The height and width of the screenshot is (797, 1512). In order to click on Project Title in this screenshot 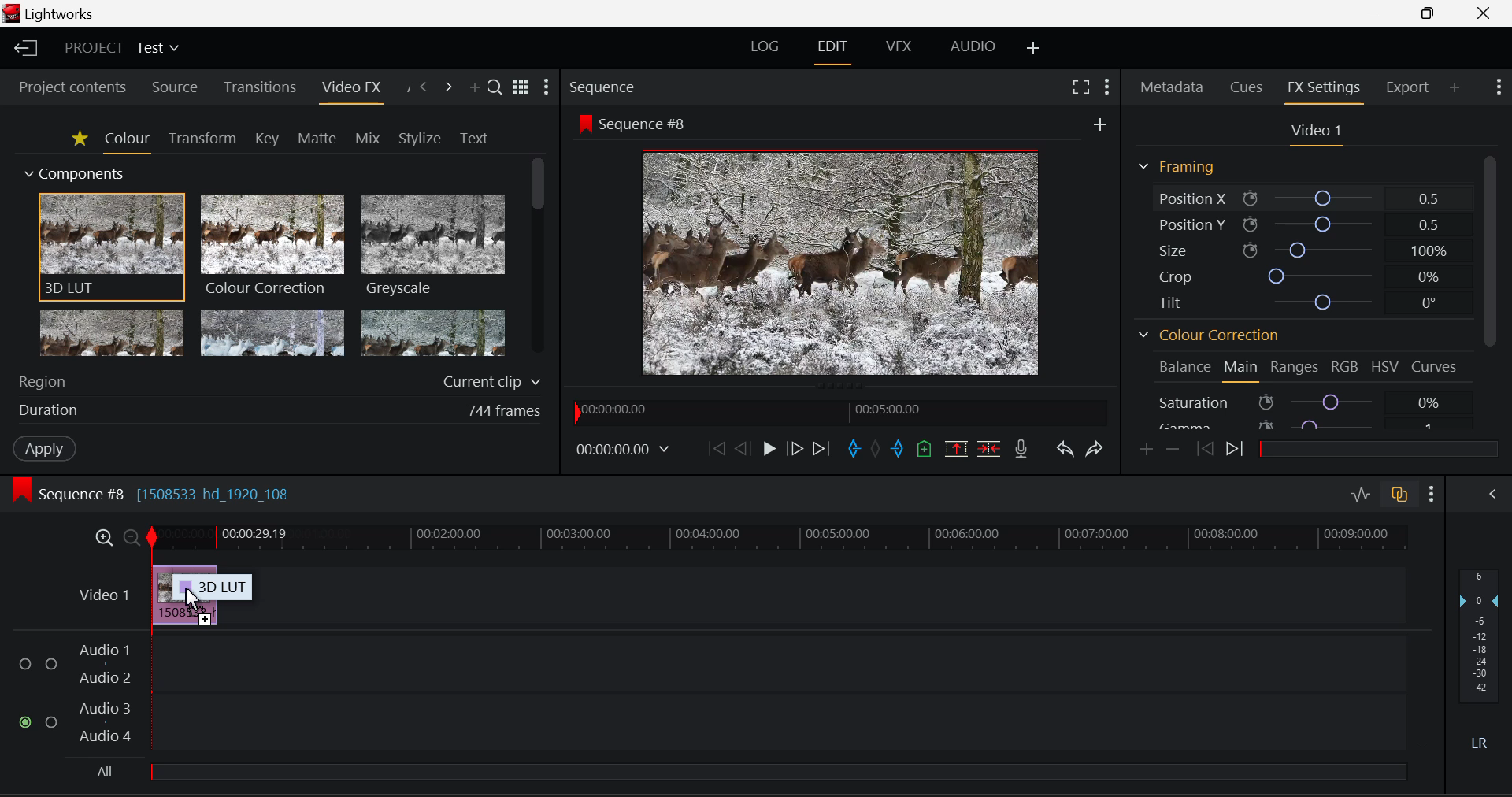, I will do `click(123, 46)`.